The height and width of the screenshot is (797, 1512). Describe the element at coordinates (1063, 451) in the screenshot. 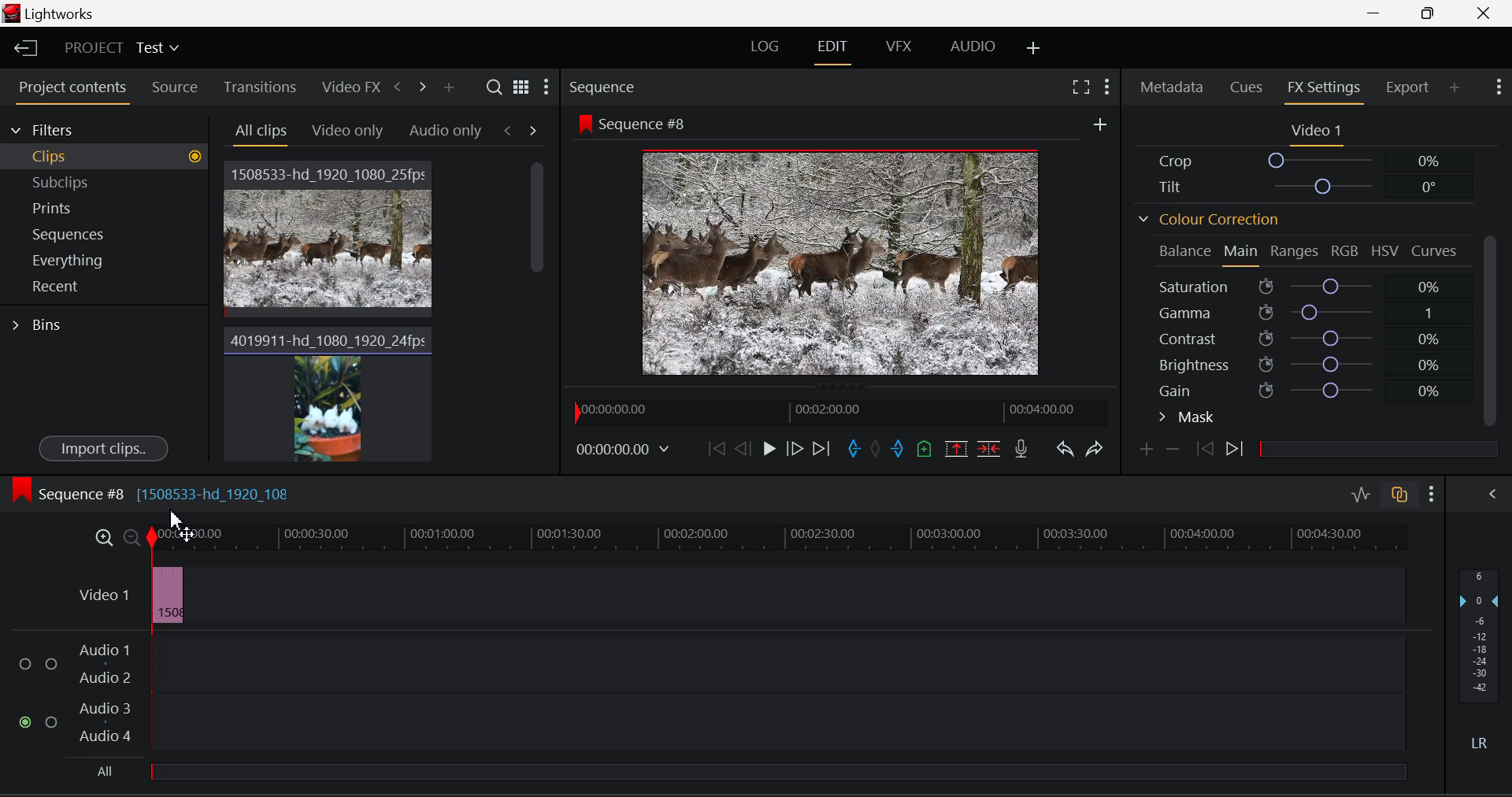

I see `Undo` at that location.